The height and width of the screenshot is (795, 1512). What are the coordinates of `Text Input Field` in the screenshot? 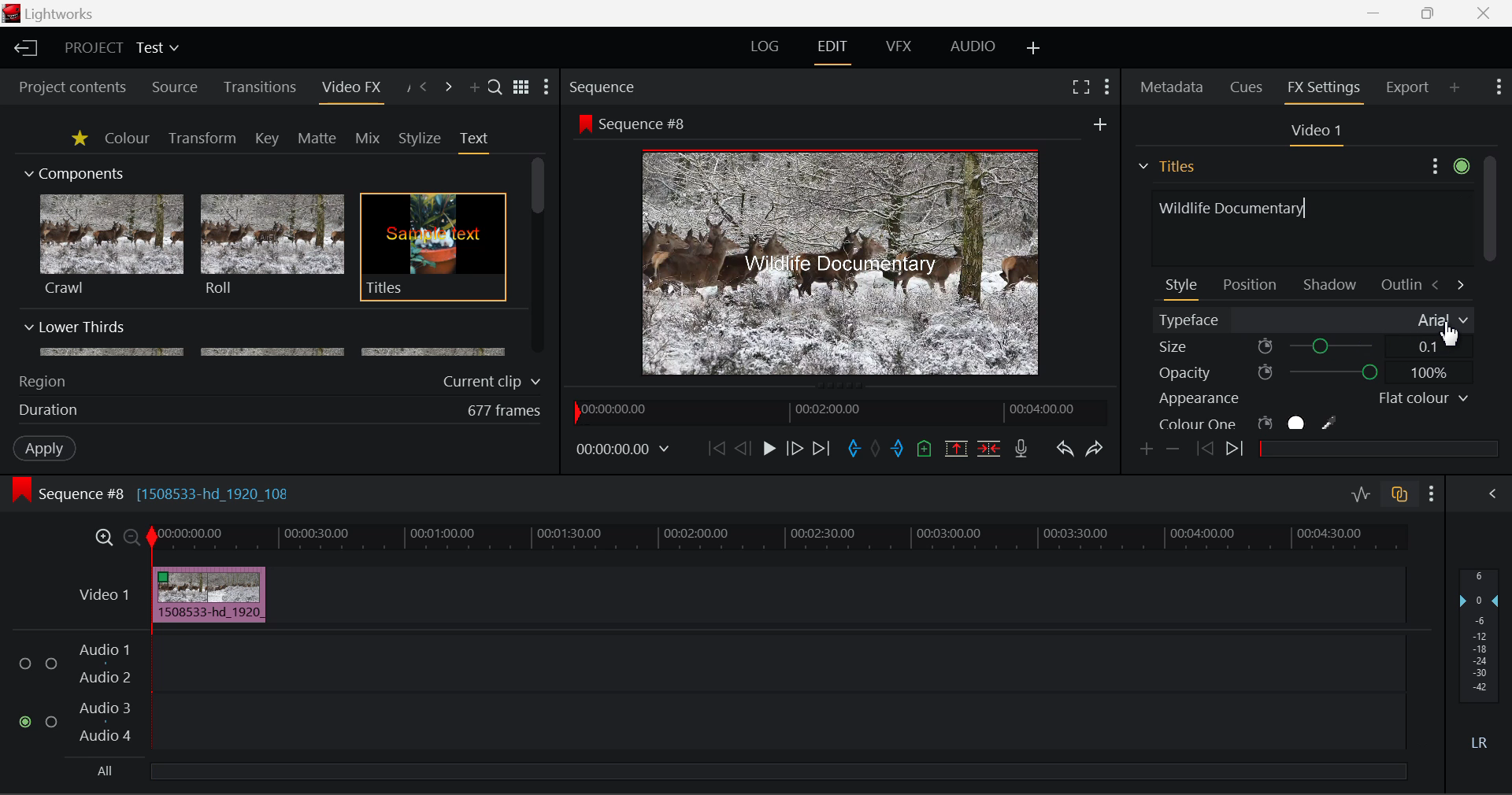 It's located at (1307, 226).